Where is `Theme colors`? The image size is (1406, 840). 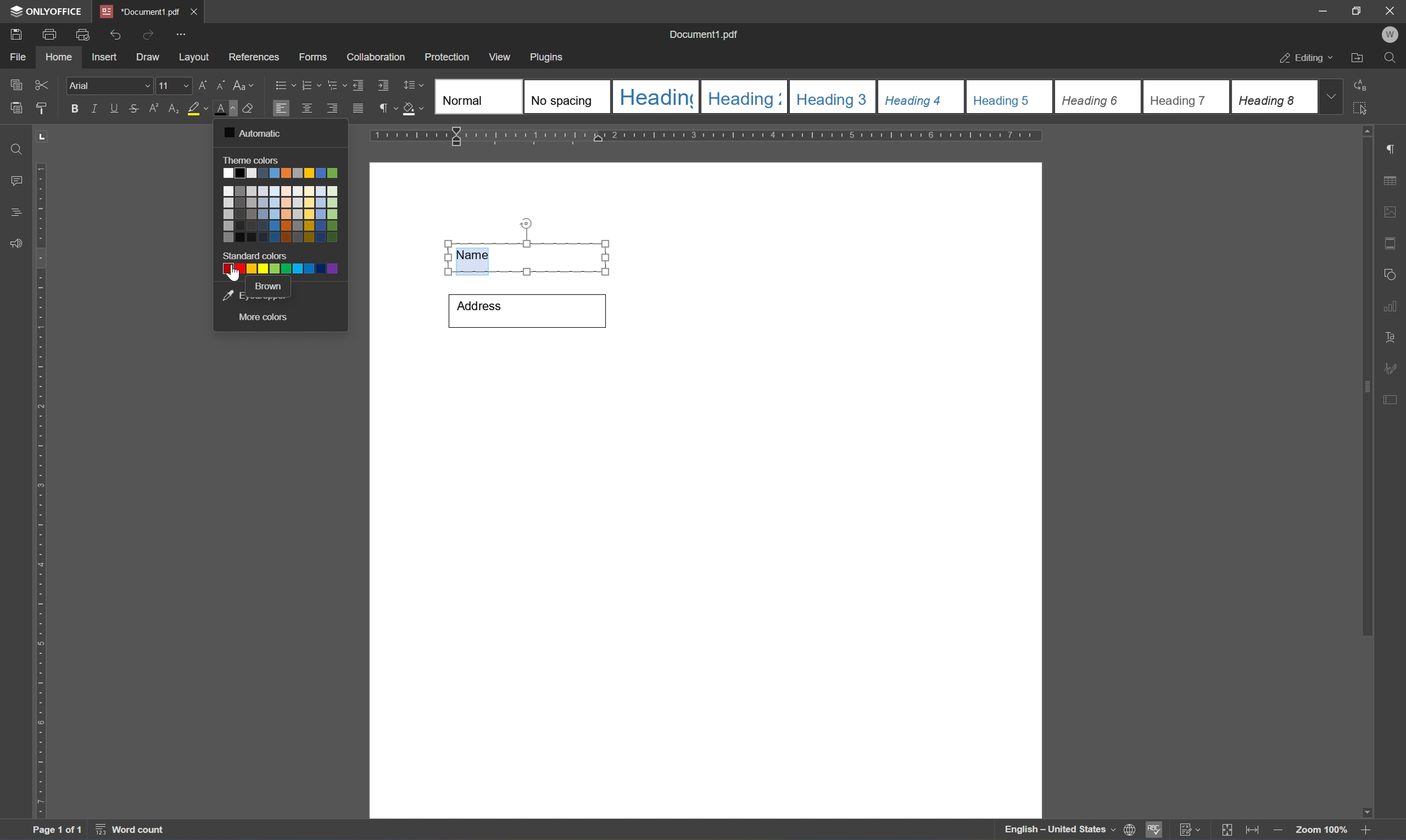
Theme colors is located at coordinates (253, 159).